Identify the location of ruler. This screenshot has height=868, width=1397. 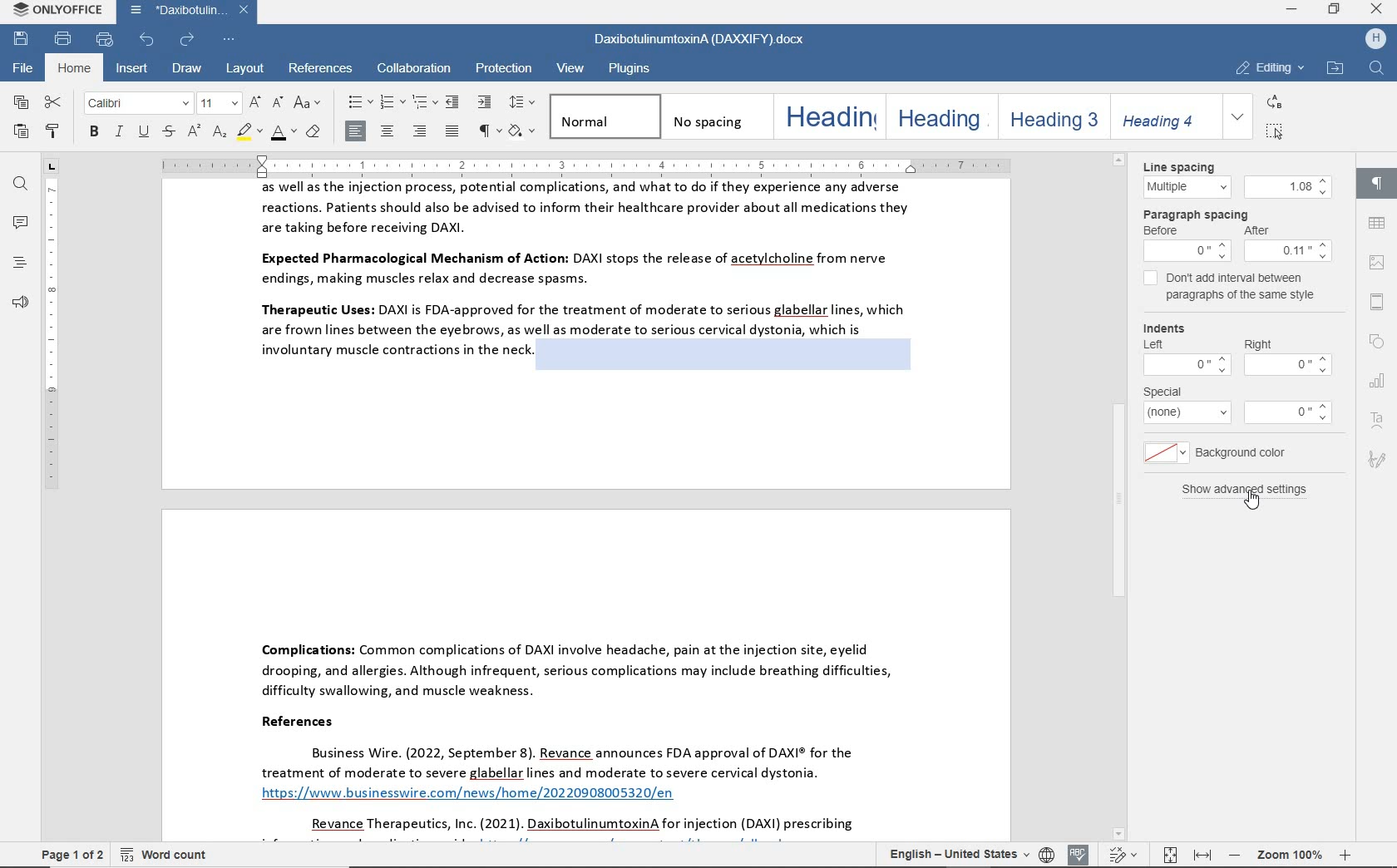
(641, 164).